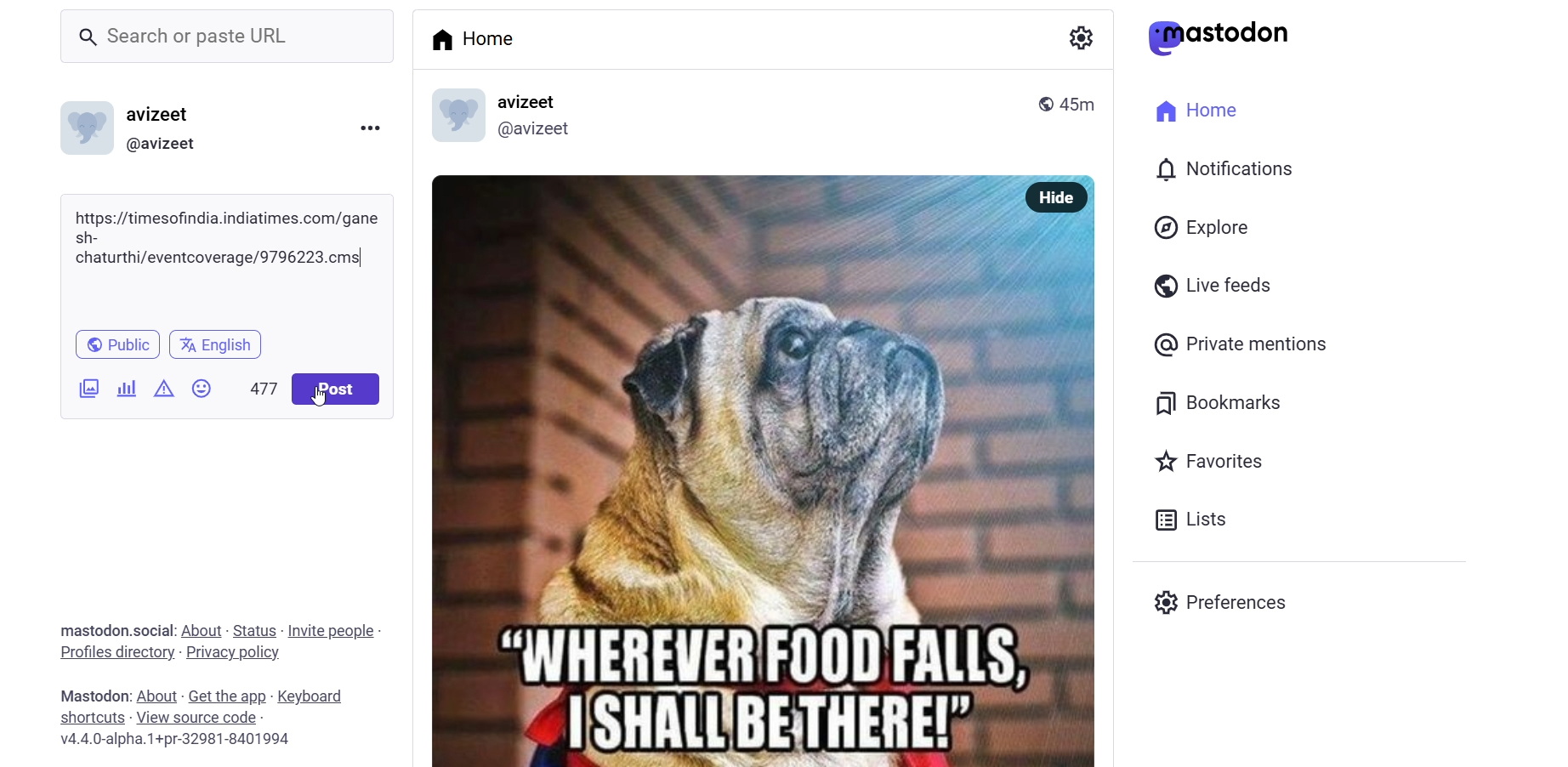  What do you see at coordinates (261, 389) in the screenshot?
I see `500` at bounding box center [261, 389].